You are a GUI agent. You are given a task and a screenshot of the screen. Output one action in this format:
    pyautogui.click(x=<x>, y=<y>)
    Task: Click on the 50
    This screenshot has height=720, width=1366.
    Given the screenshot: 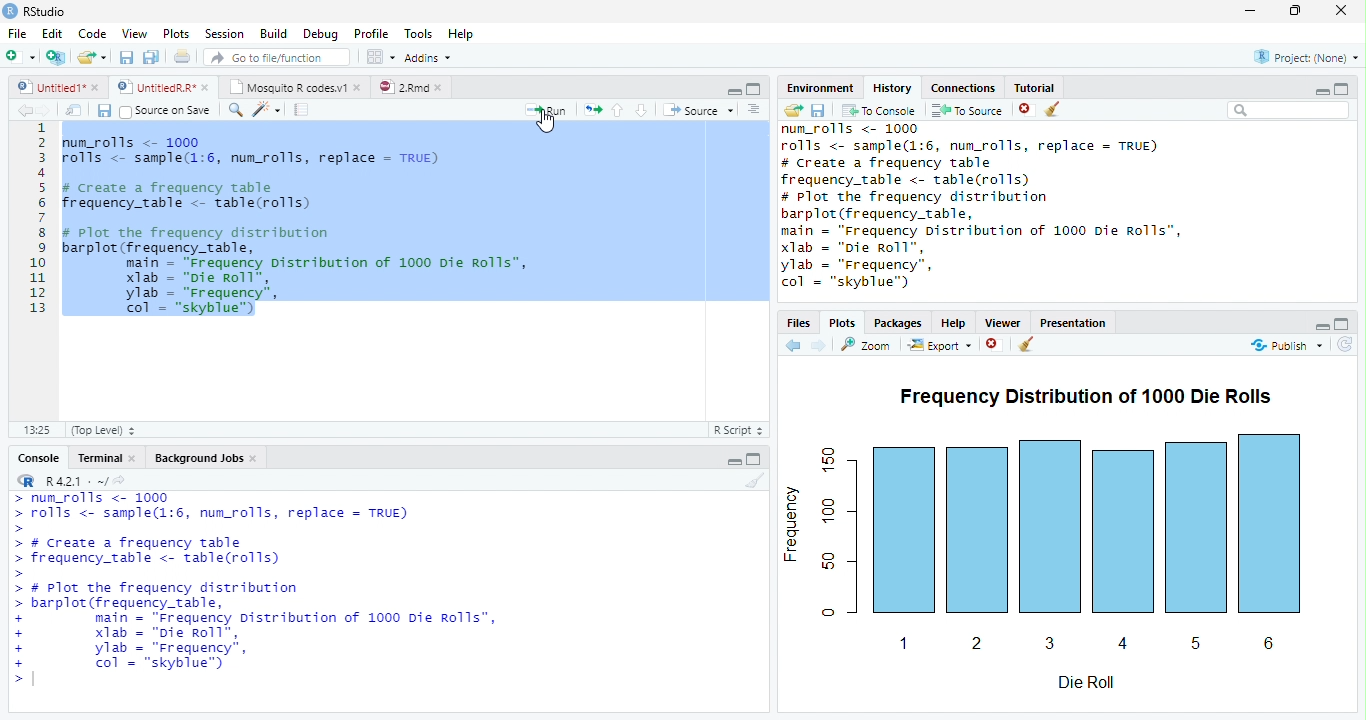 What is the action you would take?
    pyautogui.click(x=828, y=561)
    